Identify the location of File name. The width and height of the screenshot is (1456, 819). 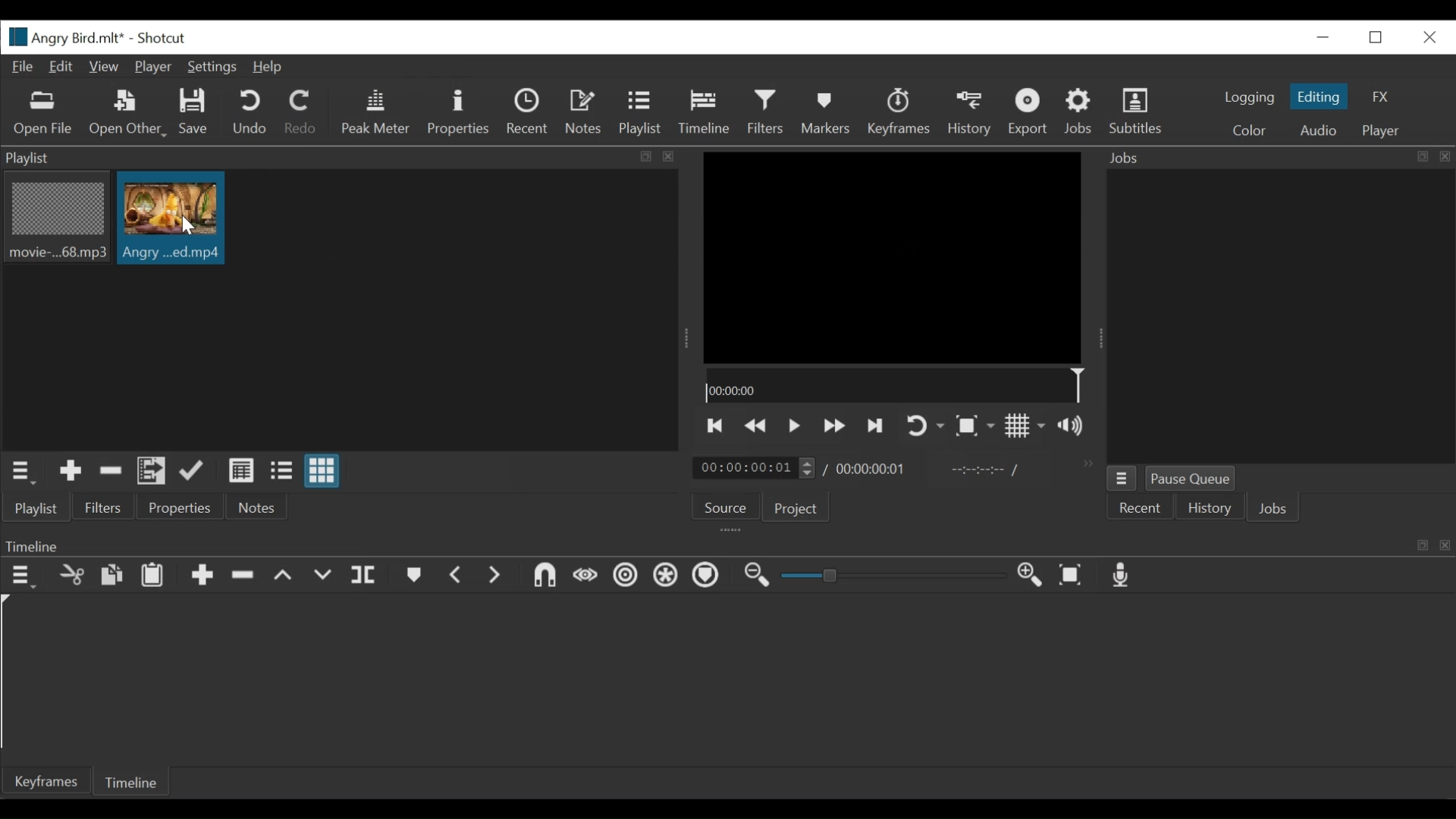
(64, 36).